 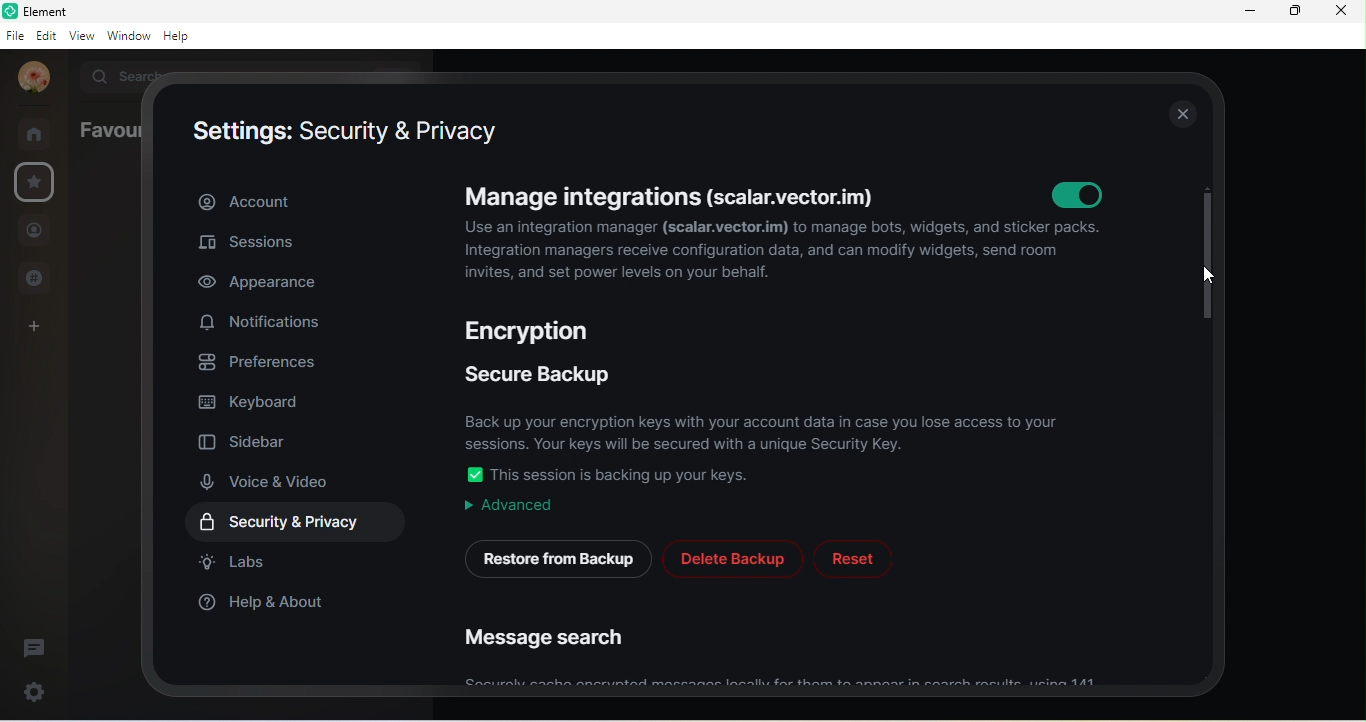 I want to click on cursor movement, so click(x=1212, y=276).